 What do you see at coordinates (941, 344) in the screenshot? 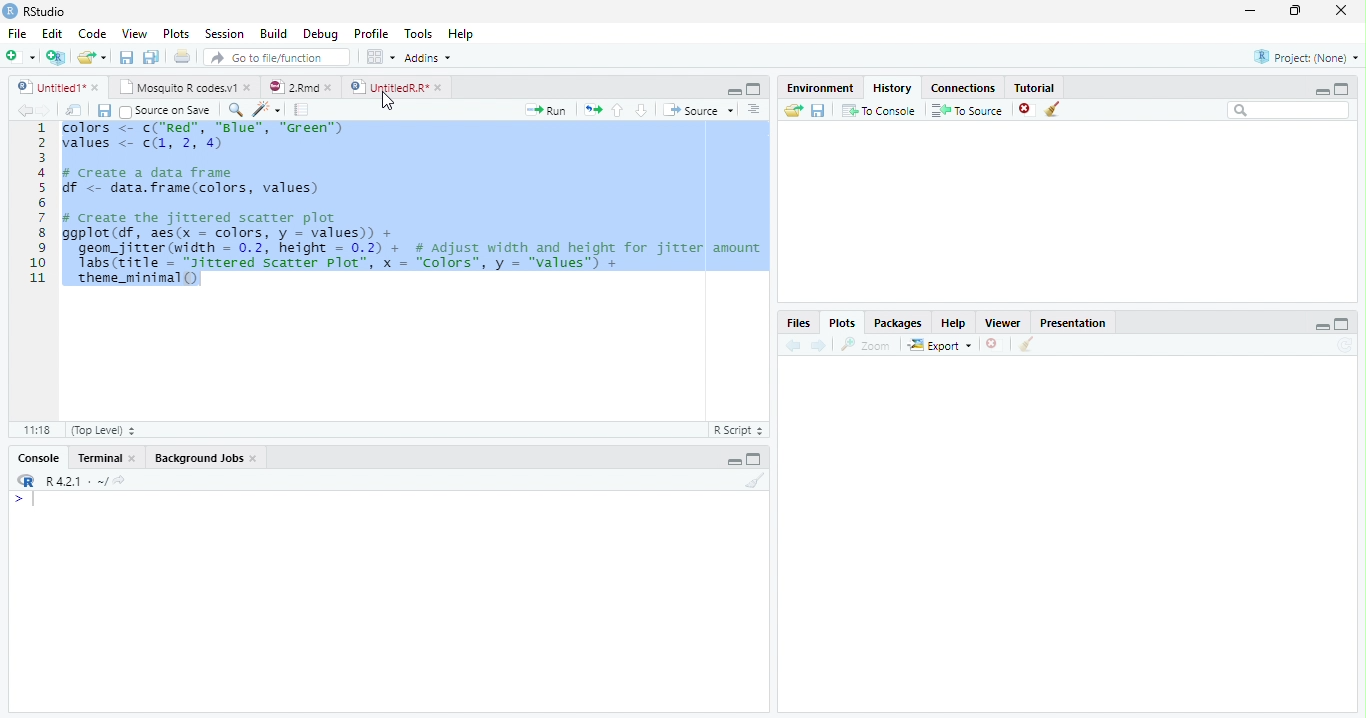
I see `Export` at bounding box center [941, 344].